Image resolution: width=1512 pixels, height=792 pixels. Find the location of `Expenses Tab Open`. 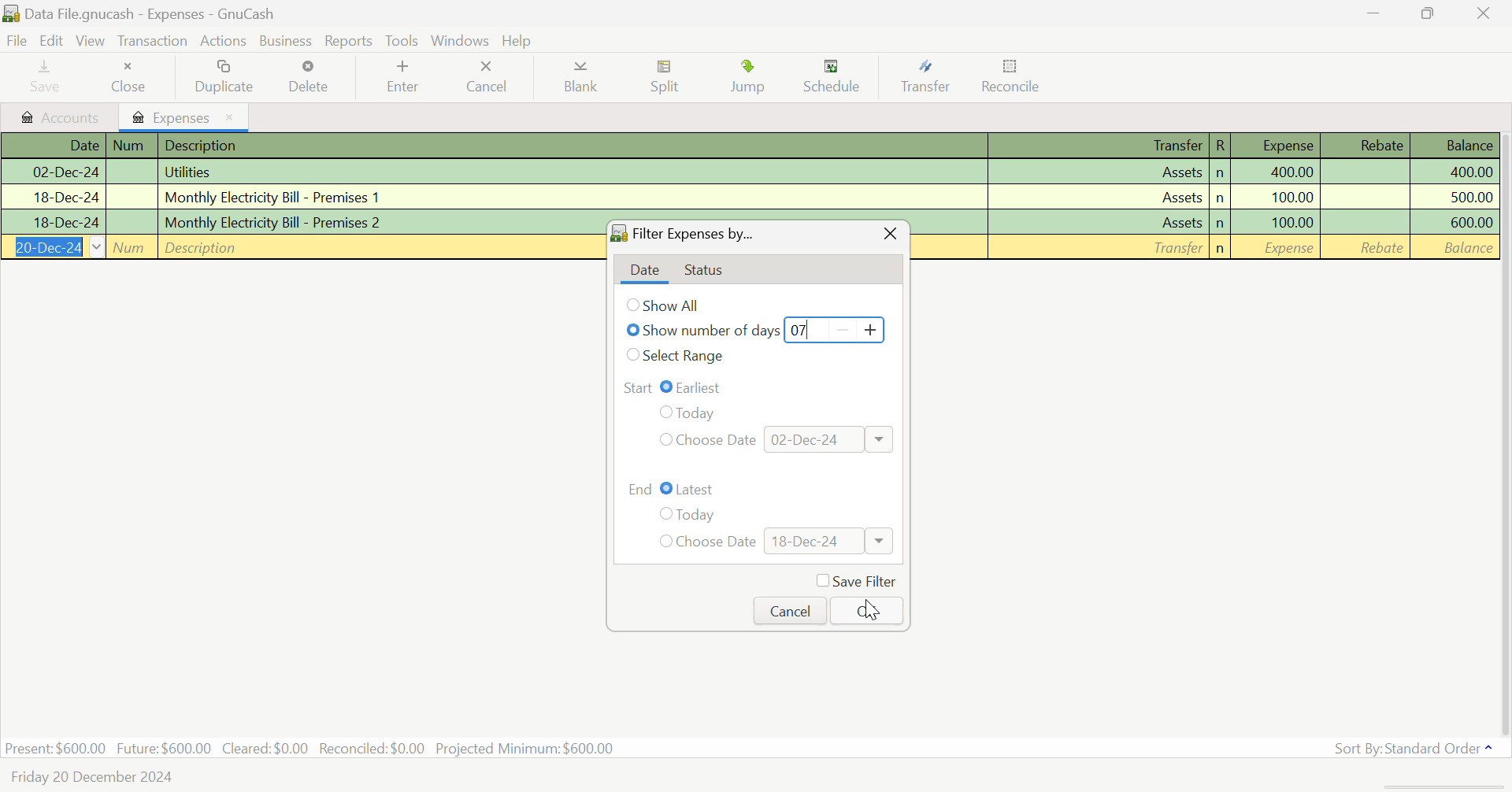

Expenses Tab Open is located at coordinates (185, 116).